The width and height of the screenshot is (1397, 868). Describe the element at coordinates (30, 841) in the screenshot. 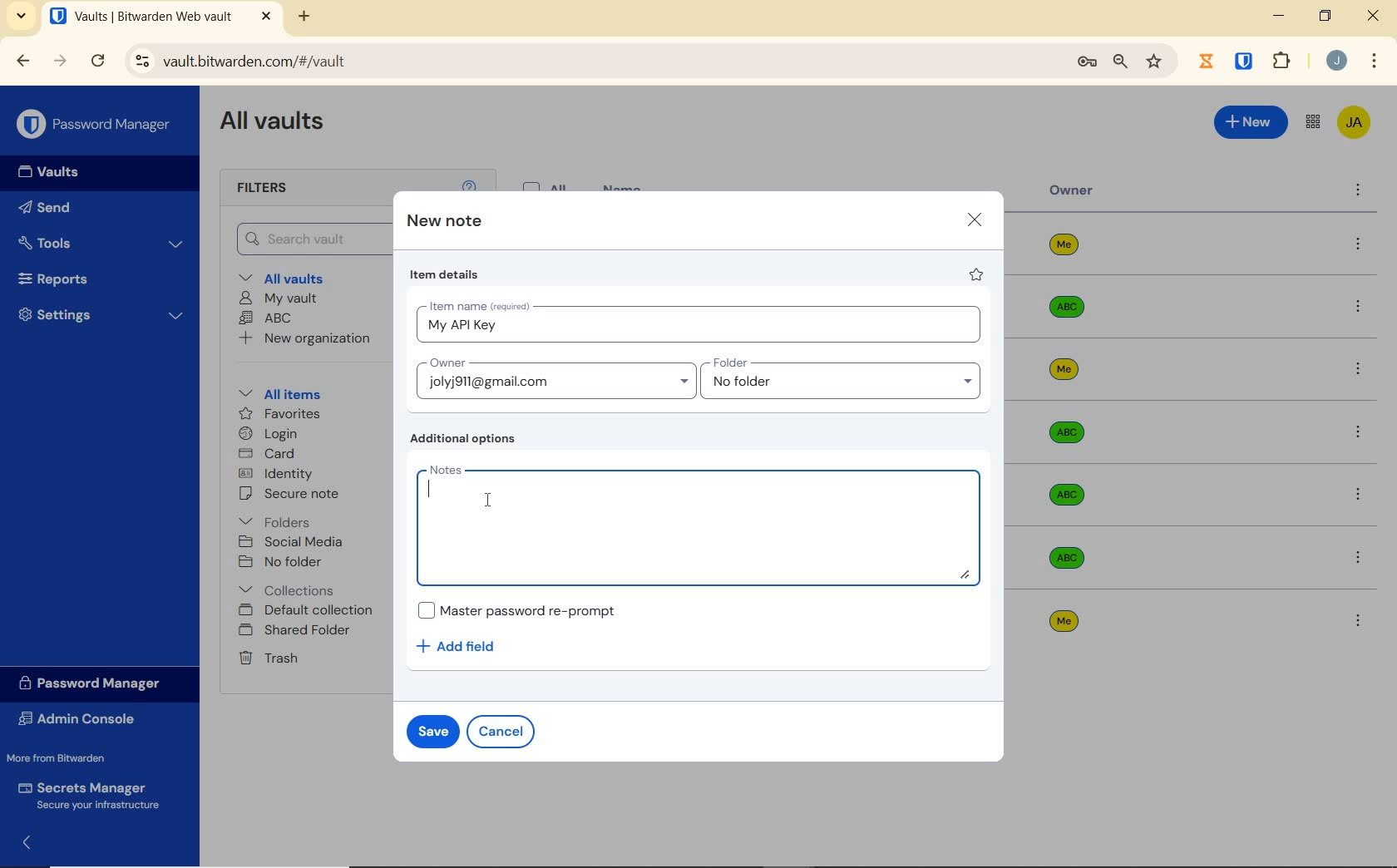

I see `expand/collapse` at that location.